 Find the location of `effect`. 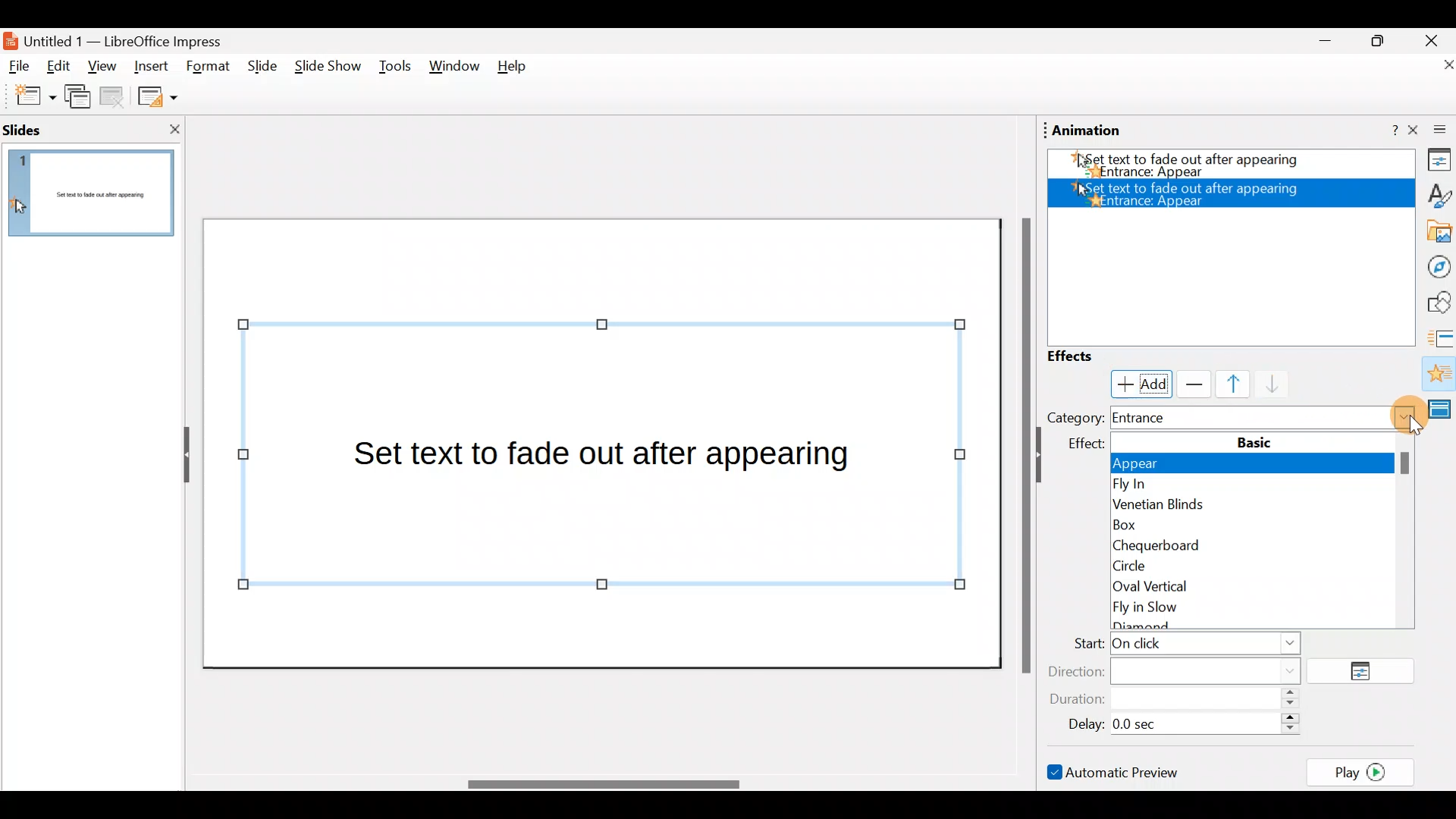

effect is located at coordinates (1090, 444).